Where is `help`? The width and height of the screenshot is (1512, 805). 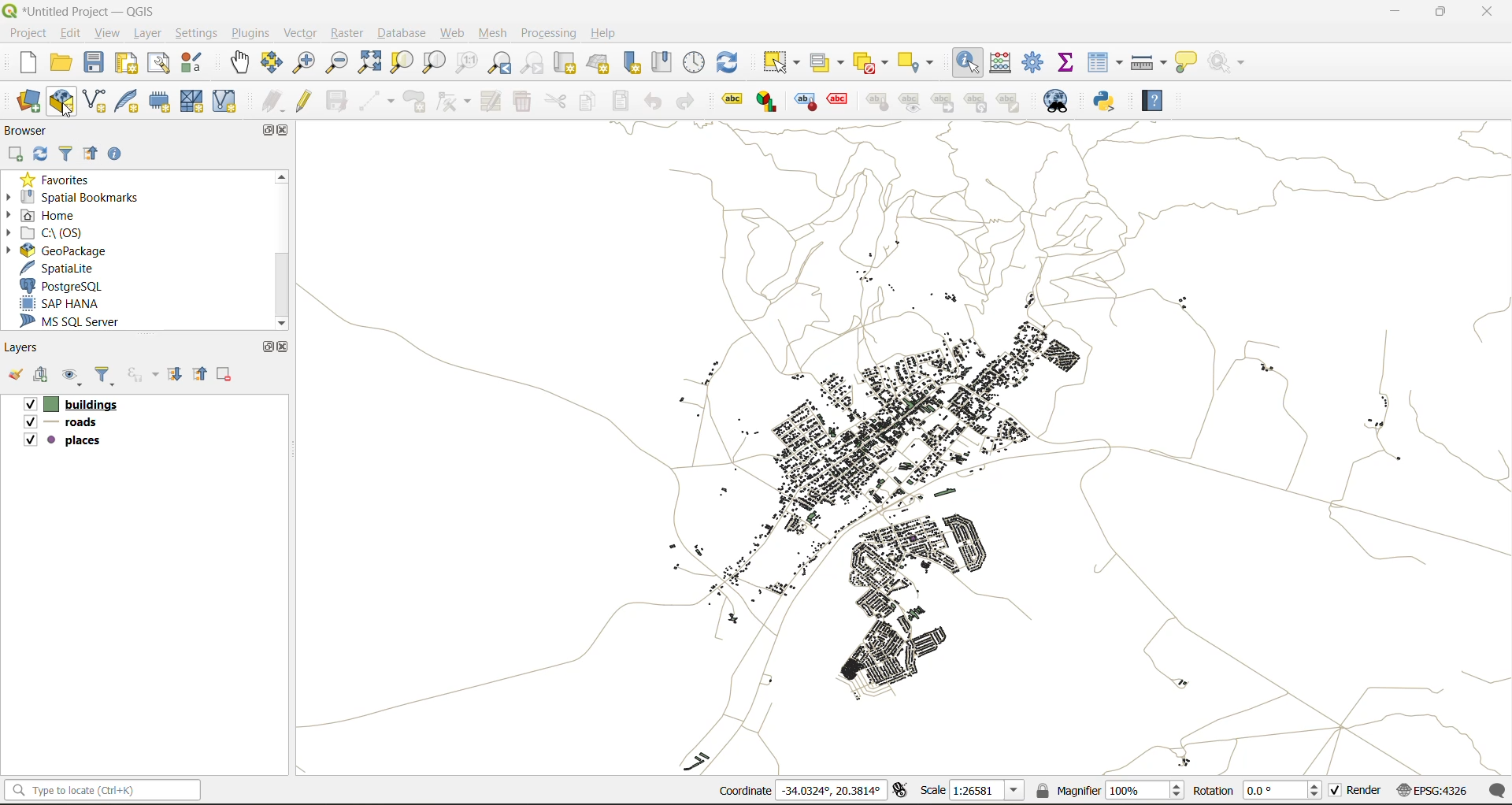 help is located at coordinates (610, 33).